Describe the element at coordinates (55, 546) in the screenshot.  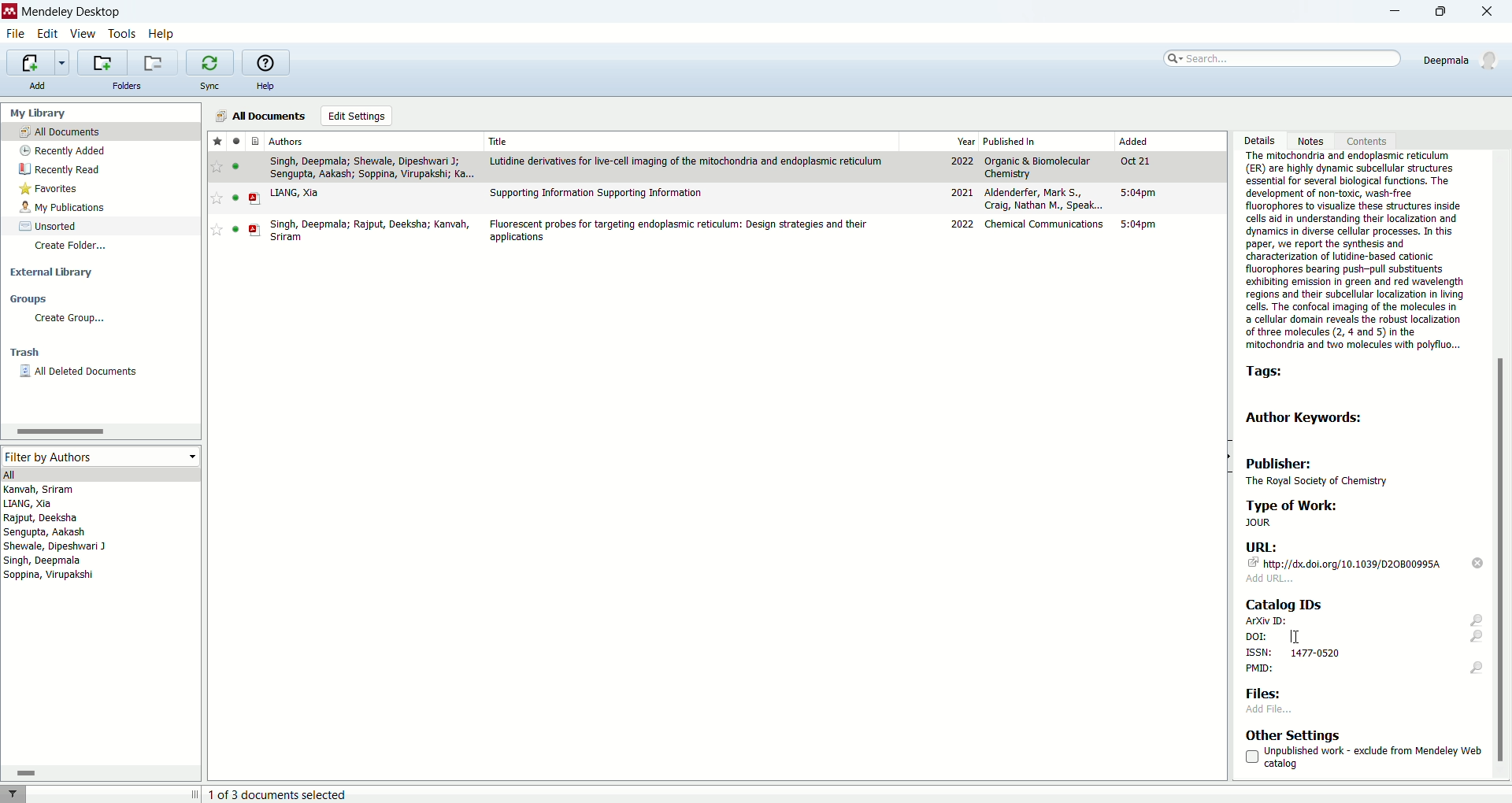
I see `shewale, dipeshwari J` at that location.